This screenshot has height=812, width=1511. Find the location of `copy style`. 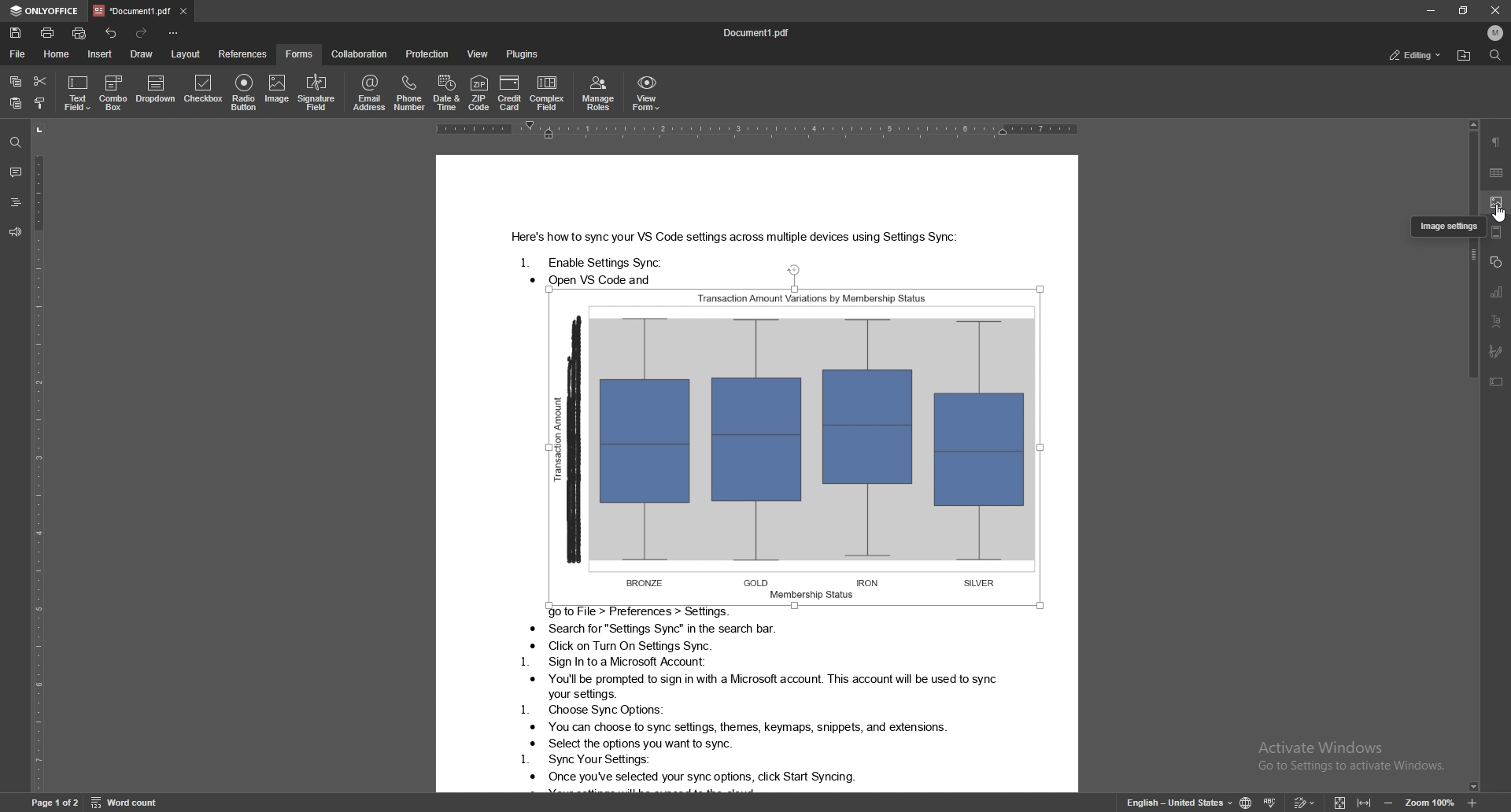

copy style is located at coordinates (40, 104).